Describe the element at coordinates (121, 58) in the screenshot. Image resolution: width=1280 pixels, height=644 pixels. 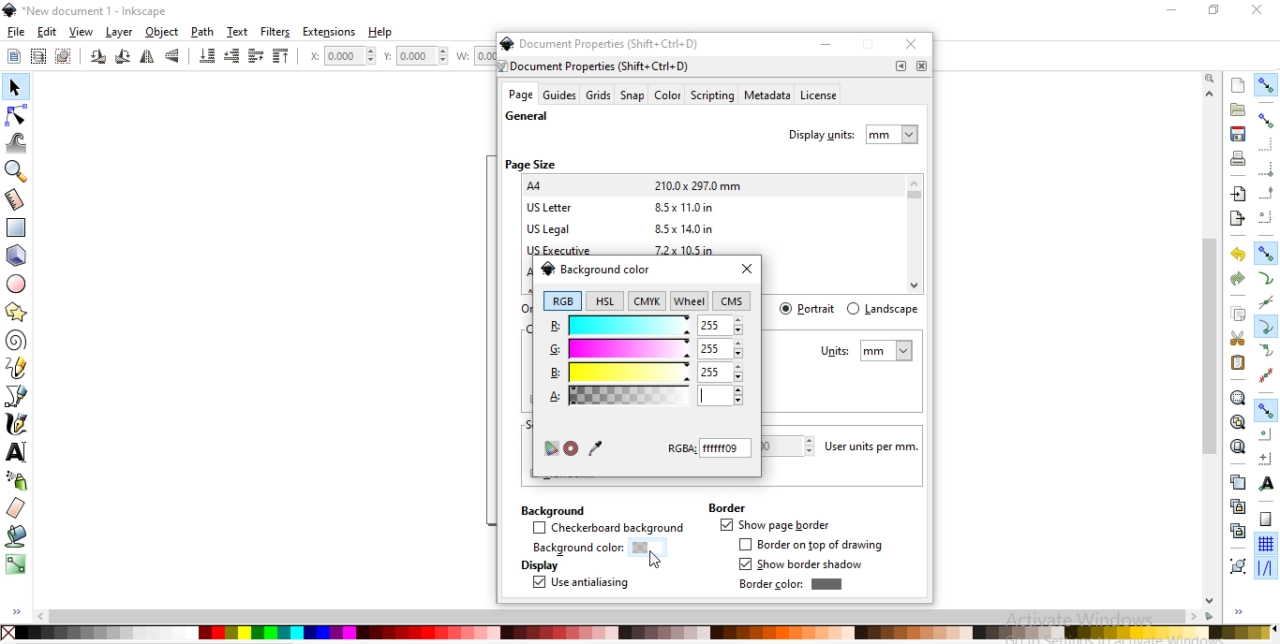
I see `rotate 90 clockwise` at that location.